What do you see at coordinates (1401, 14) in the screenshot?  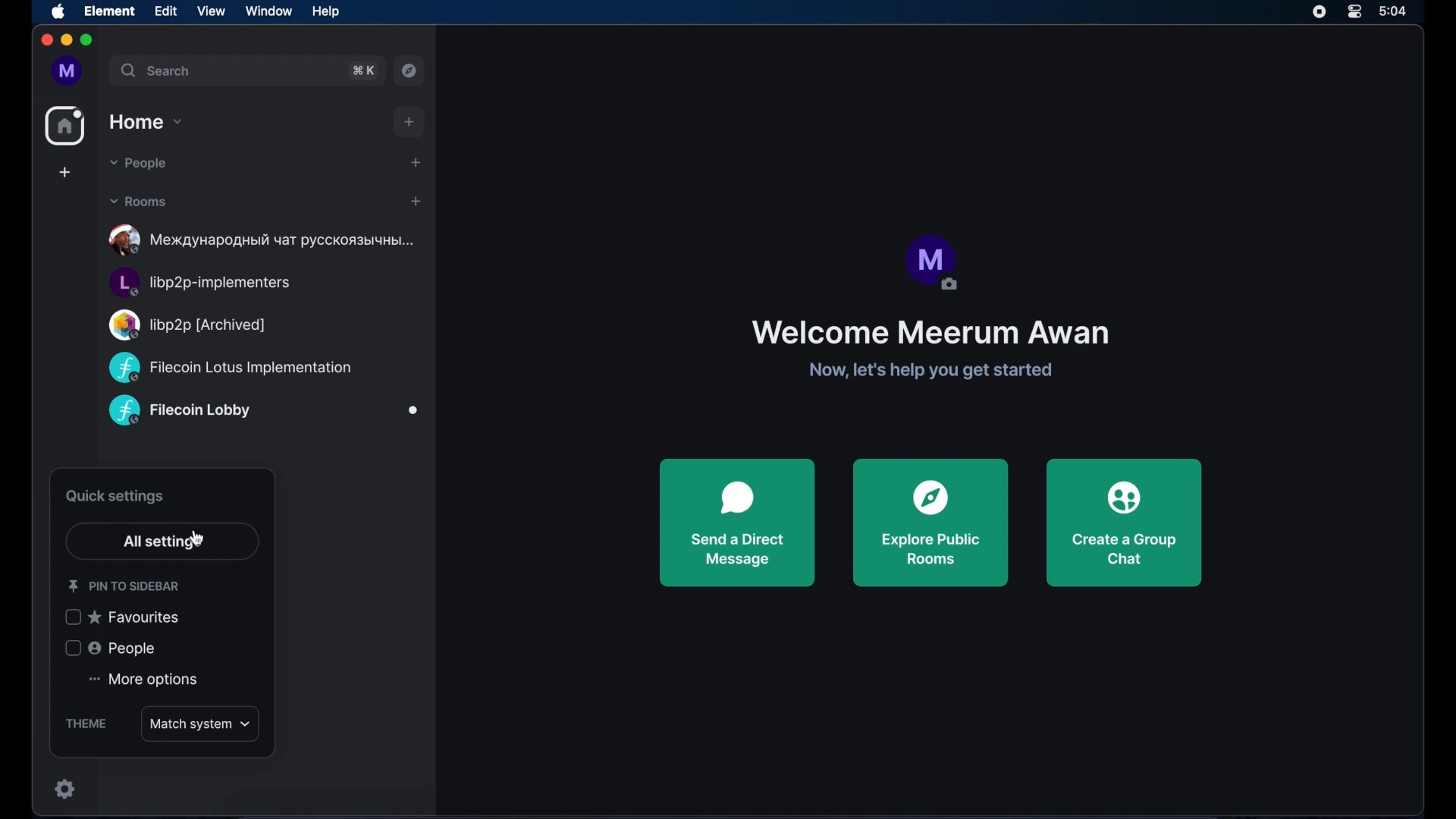 I see `5:04` at bounding box center [1401, 14].